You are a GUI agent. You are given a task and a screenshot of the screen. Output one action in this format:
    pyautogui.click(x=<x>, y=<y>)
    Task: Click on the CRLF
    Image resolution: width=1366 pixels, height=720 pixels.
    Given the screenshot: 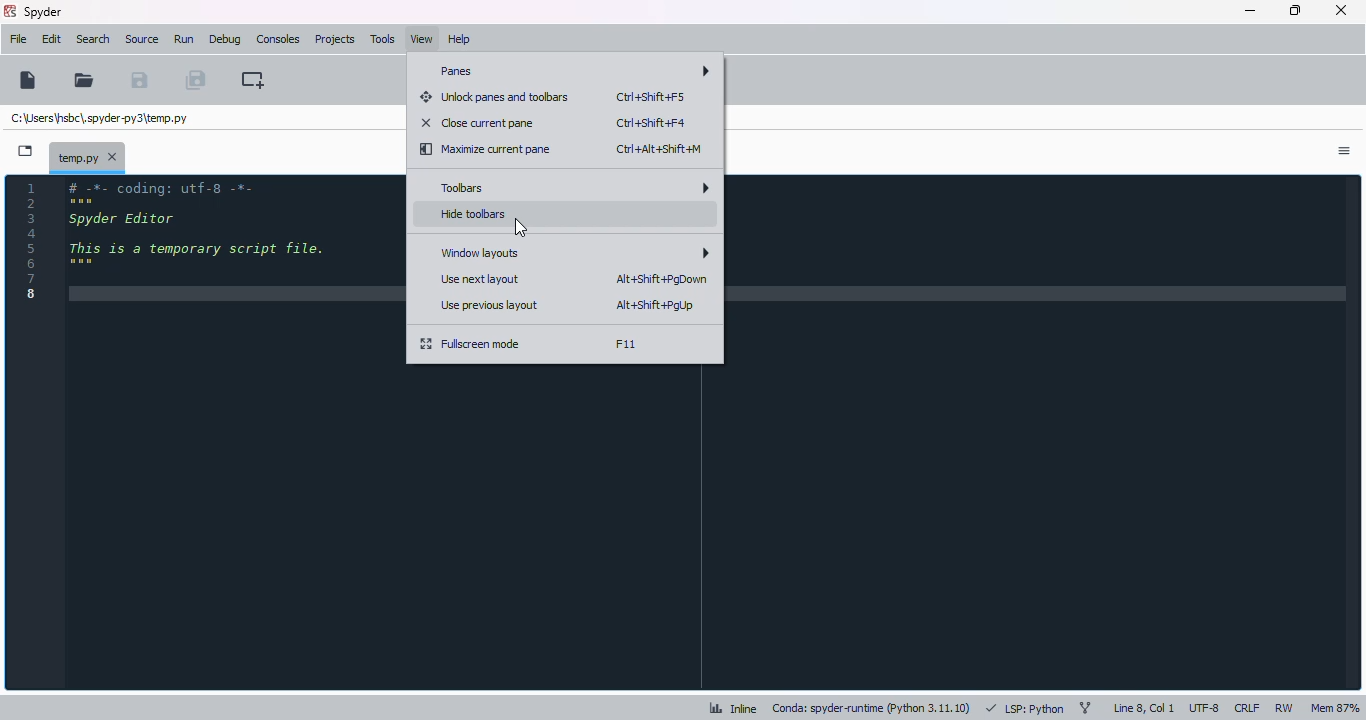 What is the action you would take?
    pyautogui.click(x=1246, y=707)
    